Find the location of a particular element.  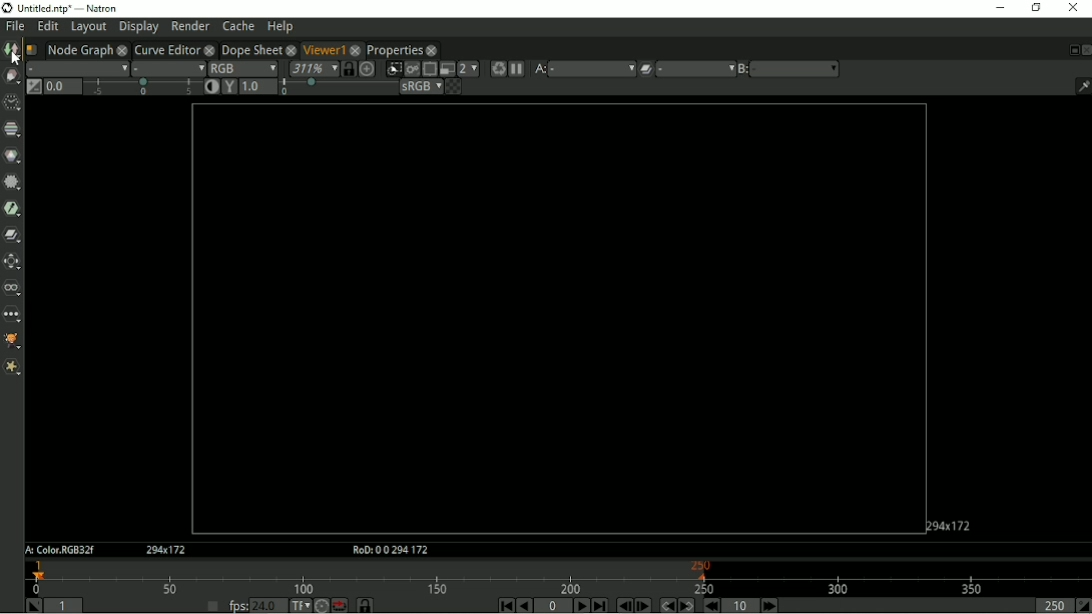

Play forward is located at coordinates (580, 605).